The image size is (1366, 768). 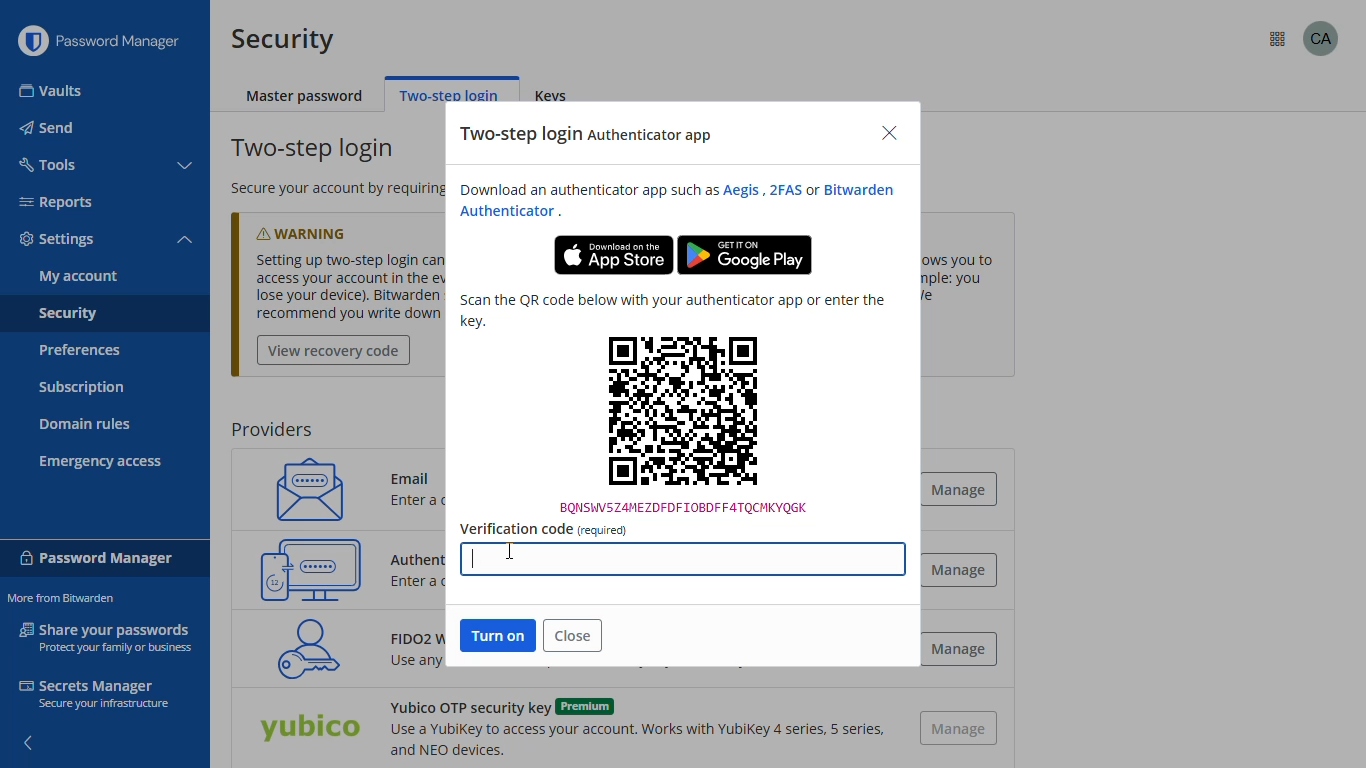 I want to click on close, so click(x=573, y=635).